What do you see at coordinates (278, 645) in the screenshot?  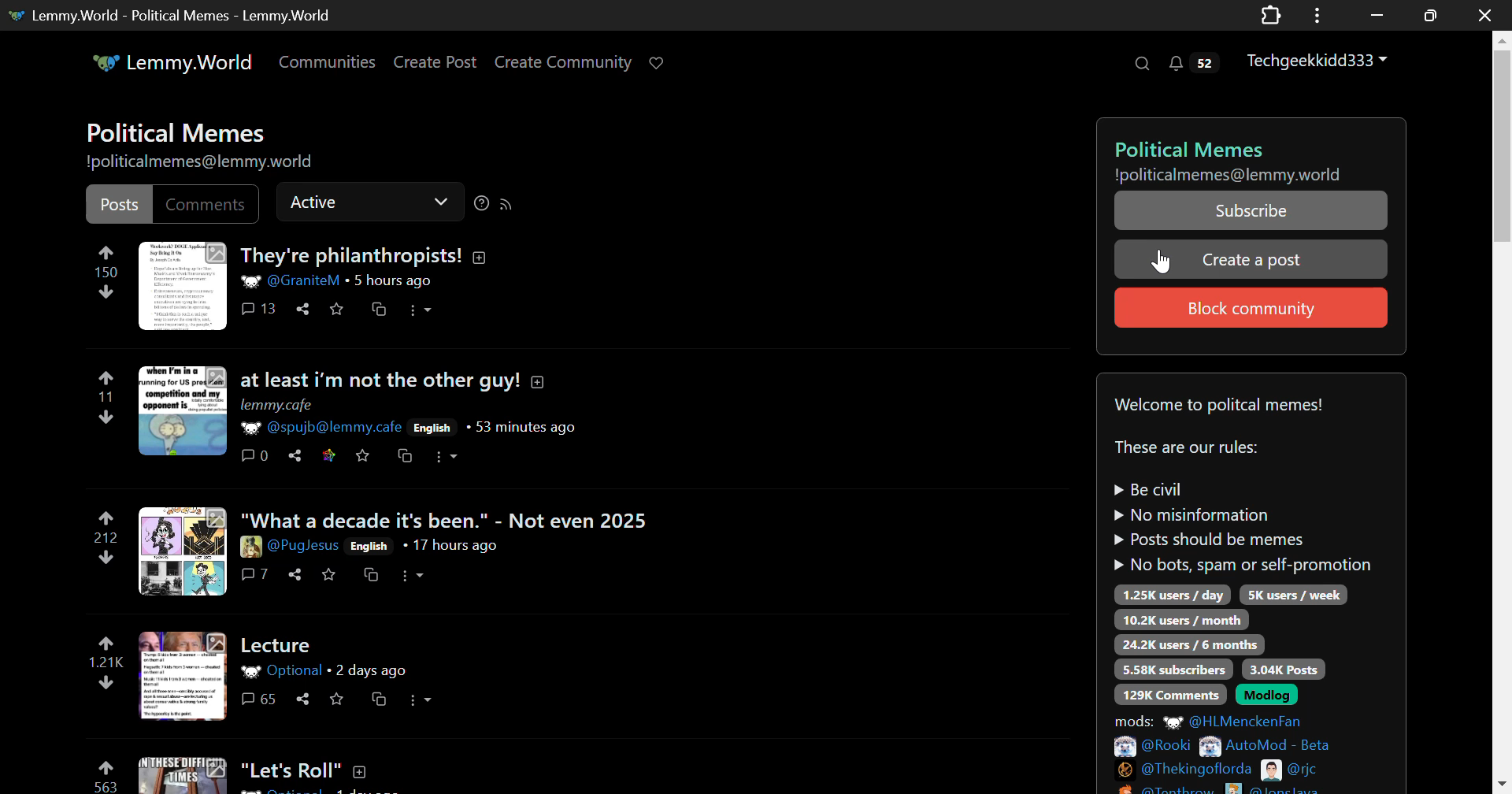 I see `Lecture` at bounding box center [278, 645].